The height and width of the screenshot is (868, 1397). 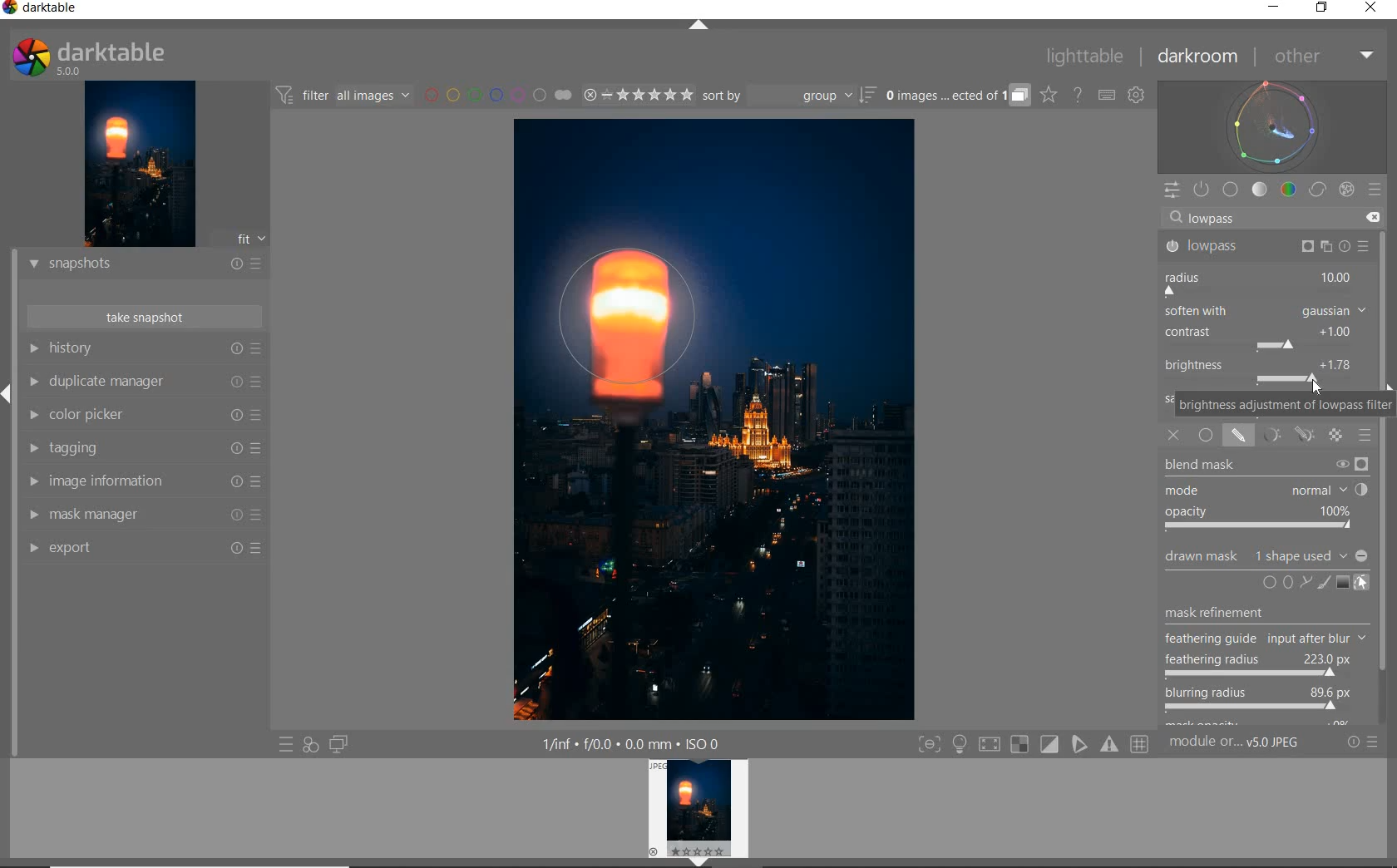 I want to click on HELP ONLINE, so click(x=1077, y=94).